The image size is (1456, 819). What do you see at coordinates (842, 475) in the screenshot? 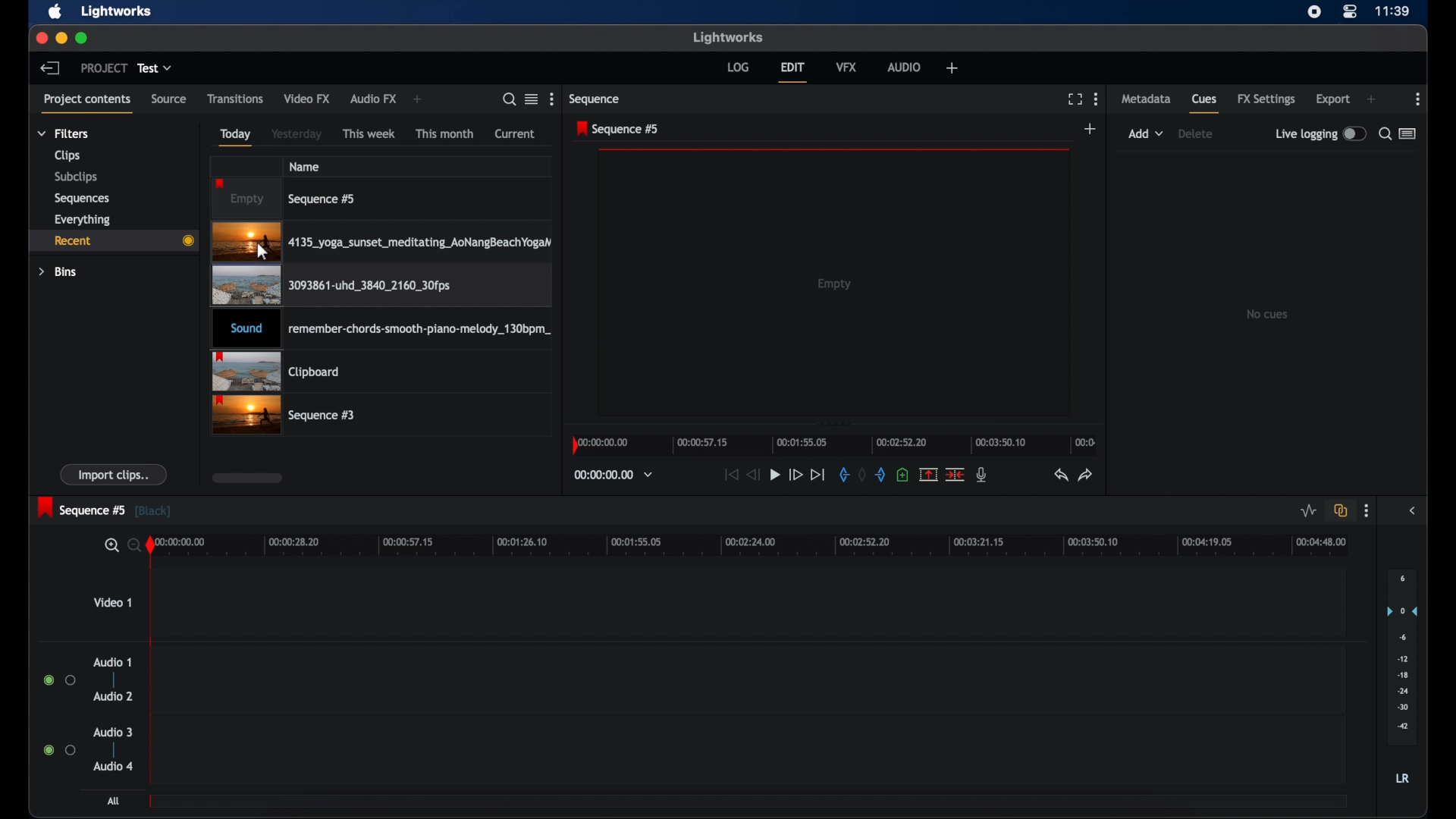
I see `in mark` at bounding box center [842, 475].